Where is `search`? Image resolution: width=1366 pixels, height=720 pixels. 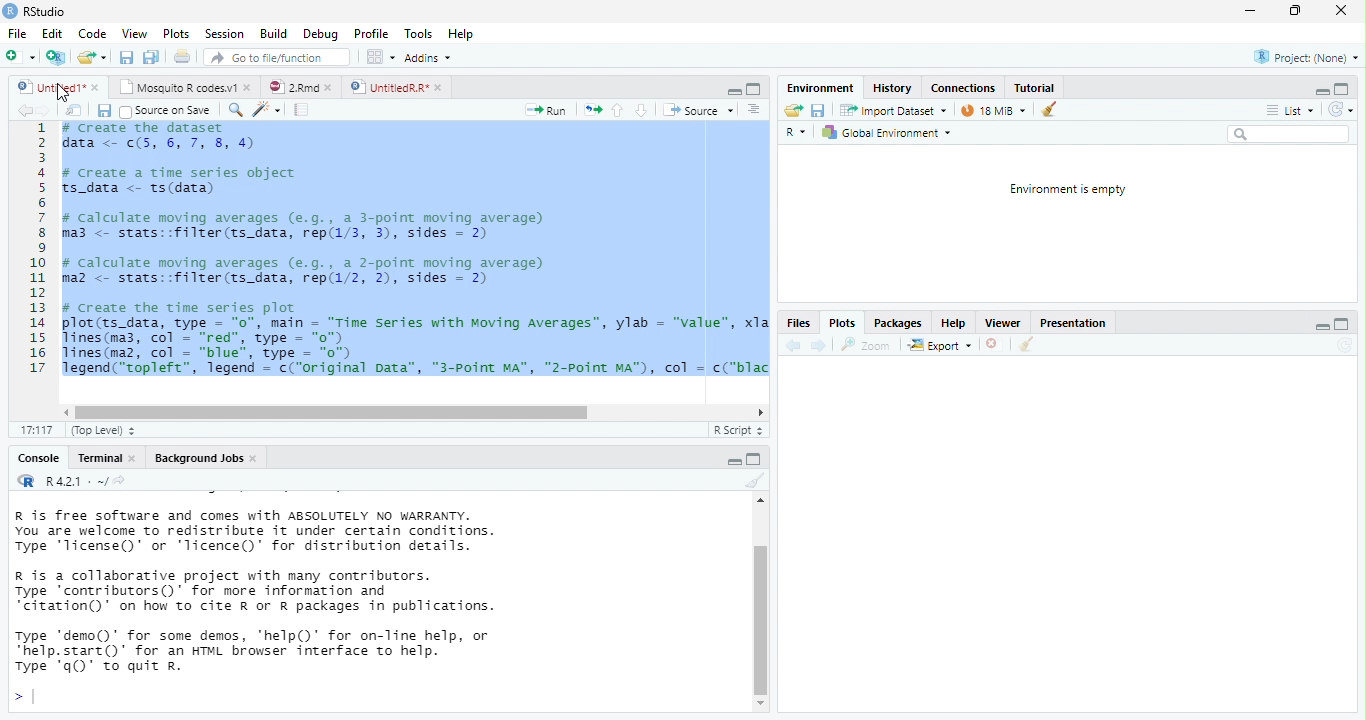 search is located at coordinates (233, 110).